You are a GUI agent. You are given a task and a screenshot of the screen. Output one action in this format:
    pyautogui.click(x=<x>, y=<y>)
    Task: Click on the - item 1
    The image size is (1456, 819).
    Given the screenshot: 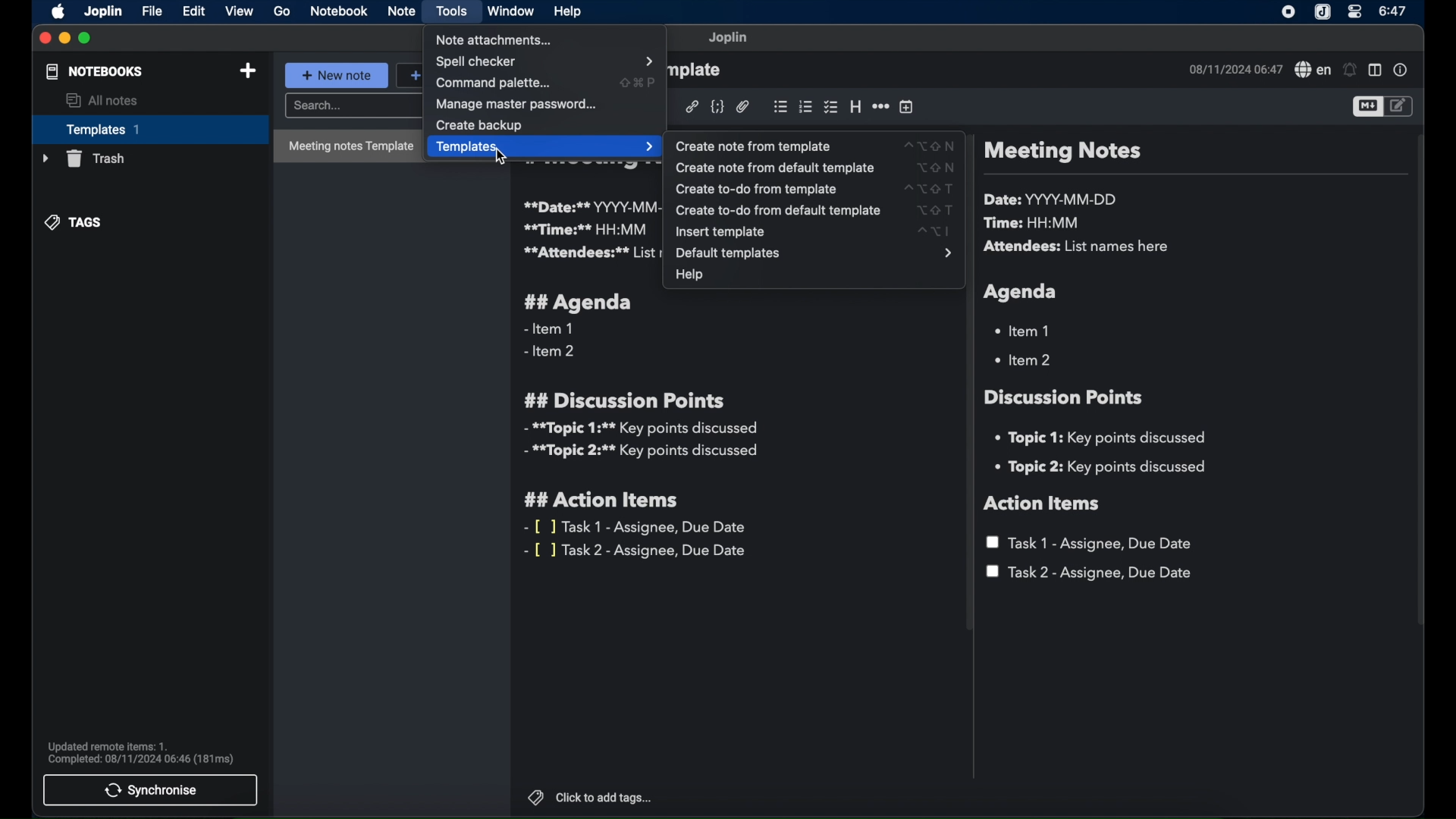 What is the action you would take?
    pyautogui.click(x=548, y=329)
    